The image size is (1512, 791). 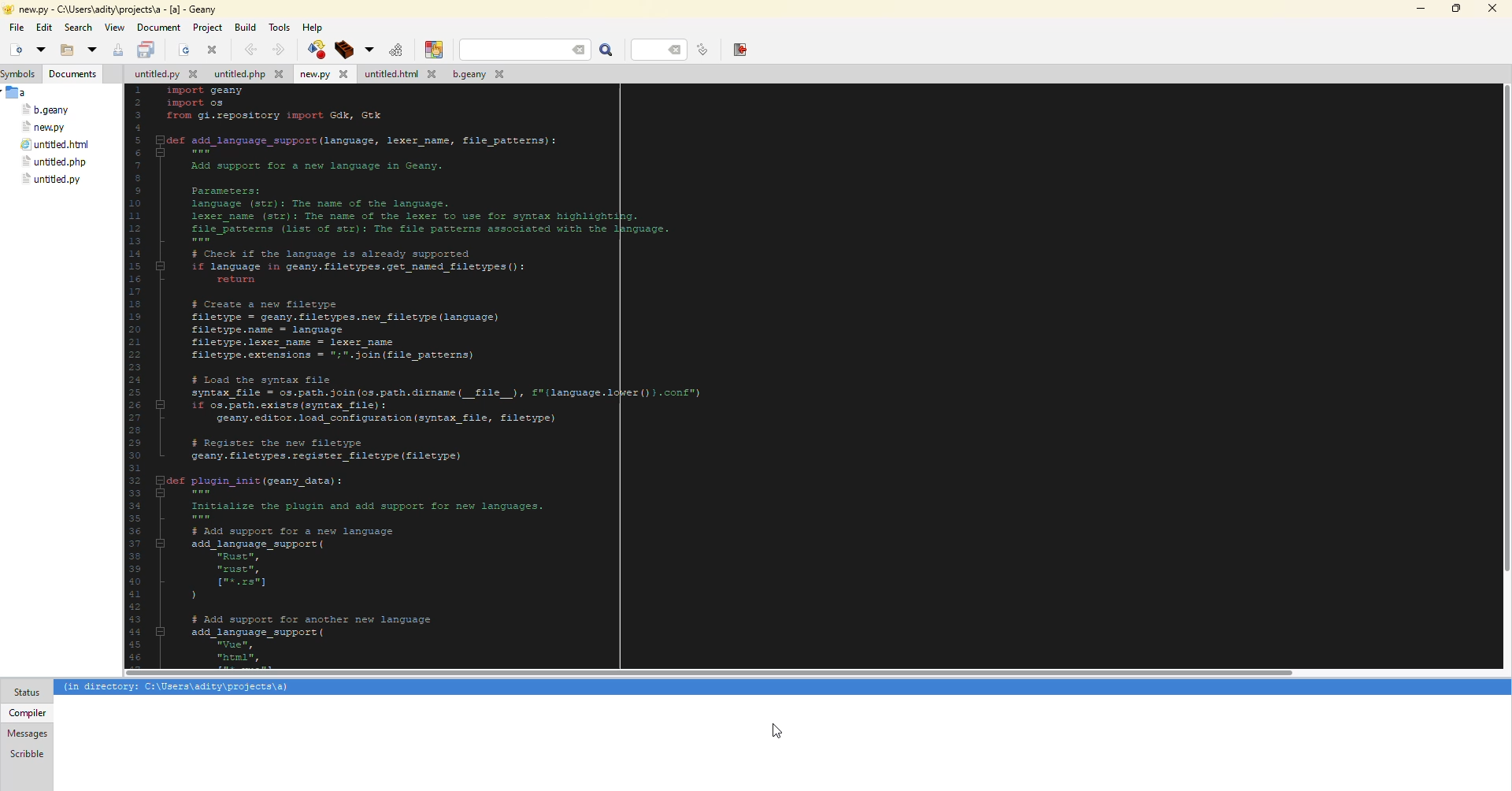 I want to click on build, so click(x=316, y=50).